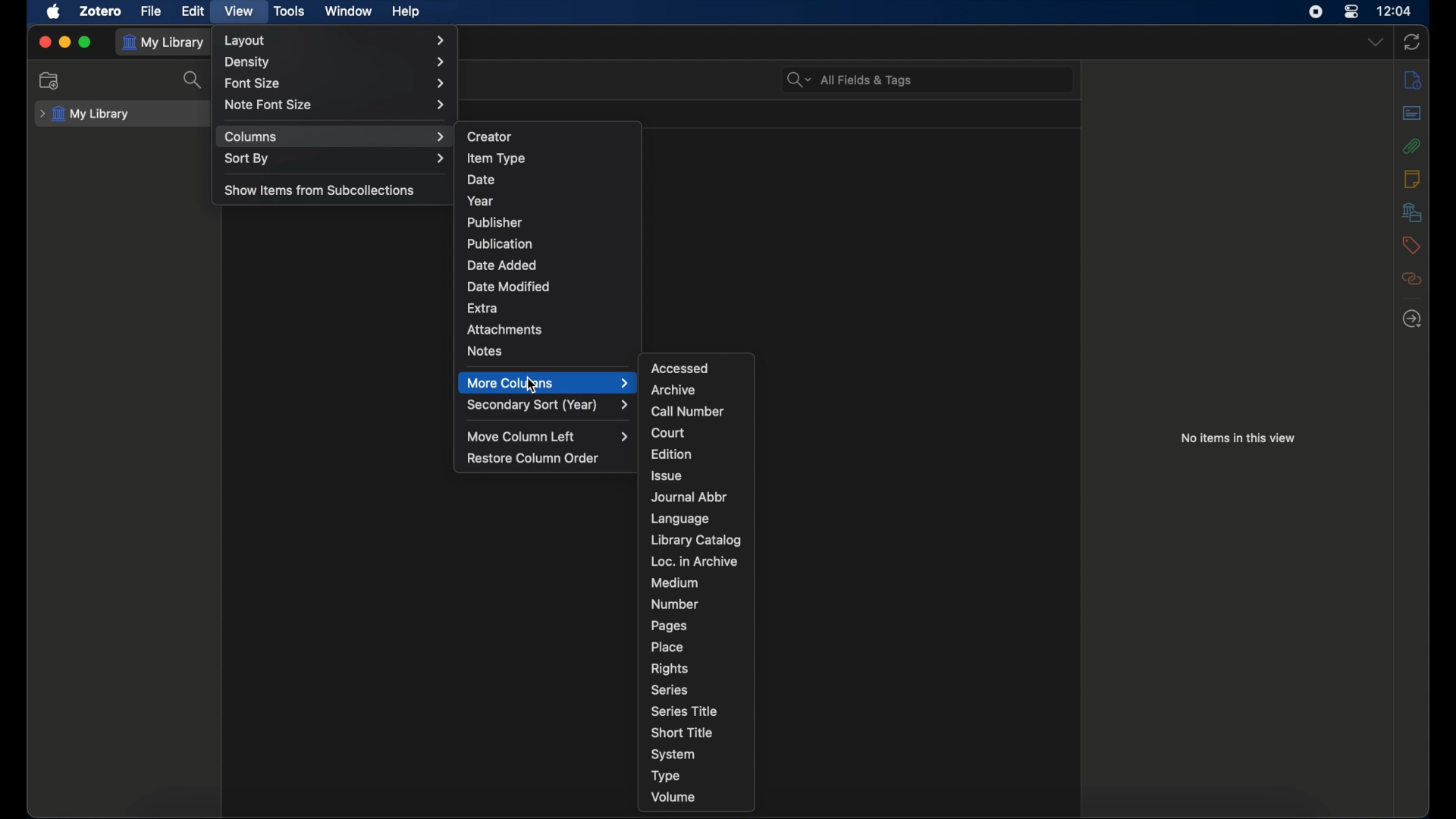 The image size is (1456, 819). I want to click on edit, so click(196, 11).